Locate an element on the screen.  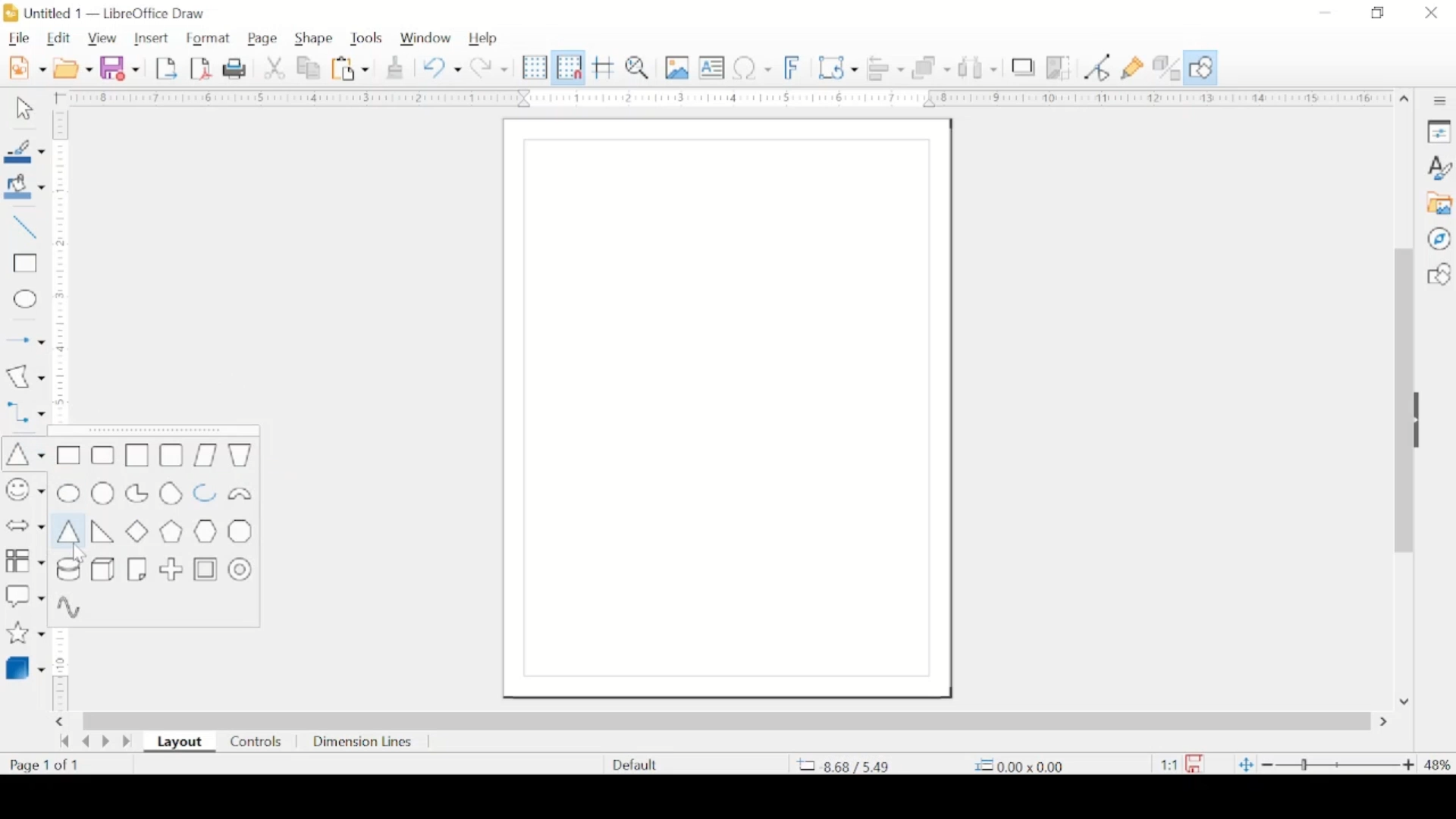
edit is located at coordinates (58, 39).